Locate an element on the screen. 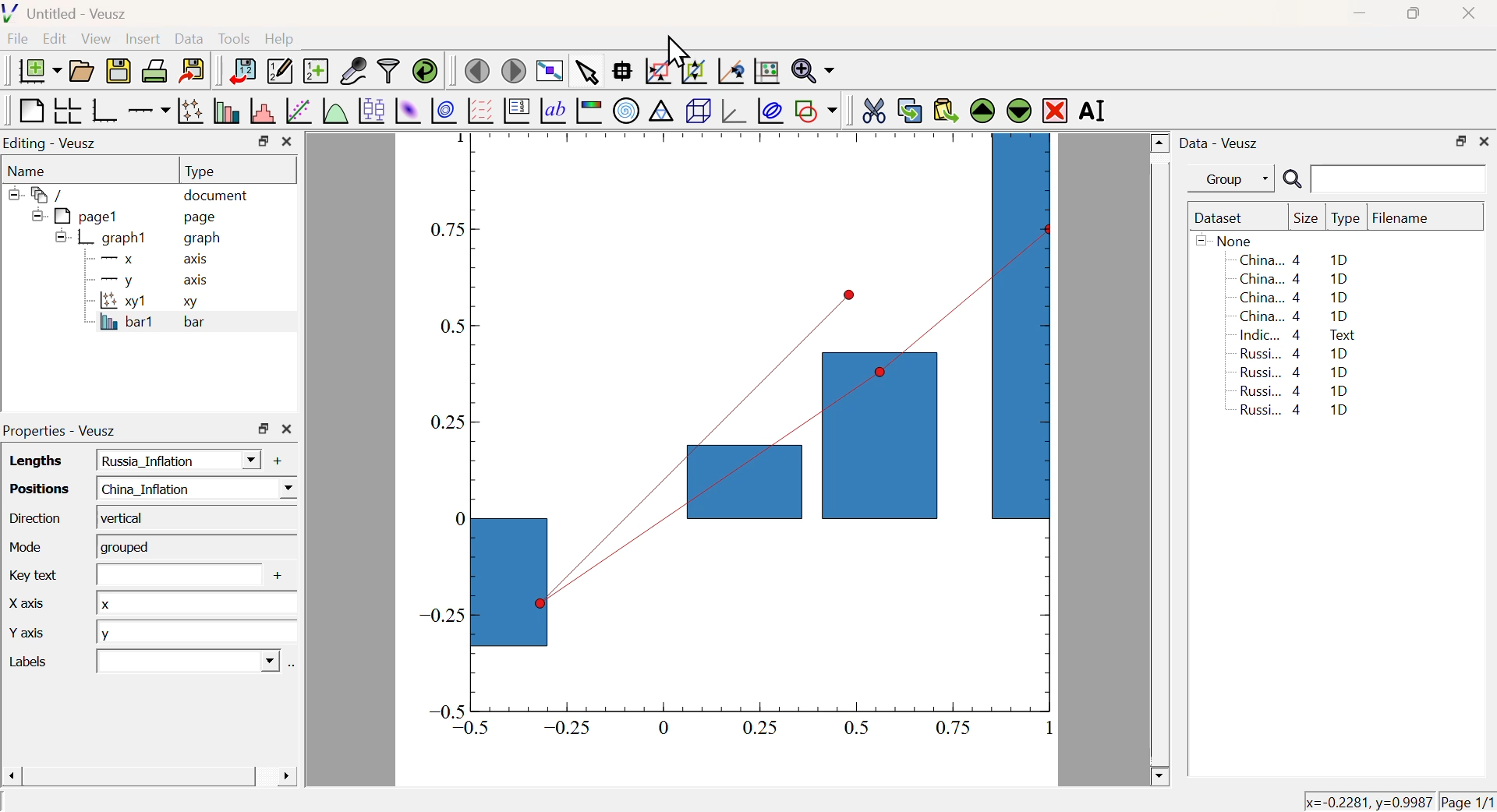 Image resolution: width=1497 pixels, height=812 pixels. View is located at coordinates (95, 40).